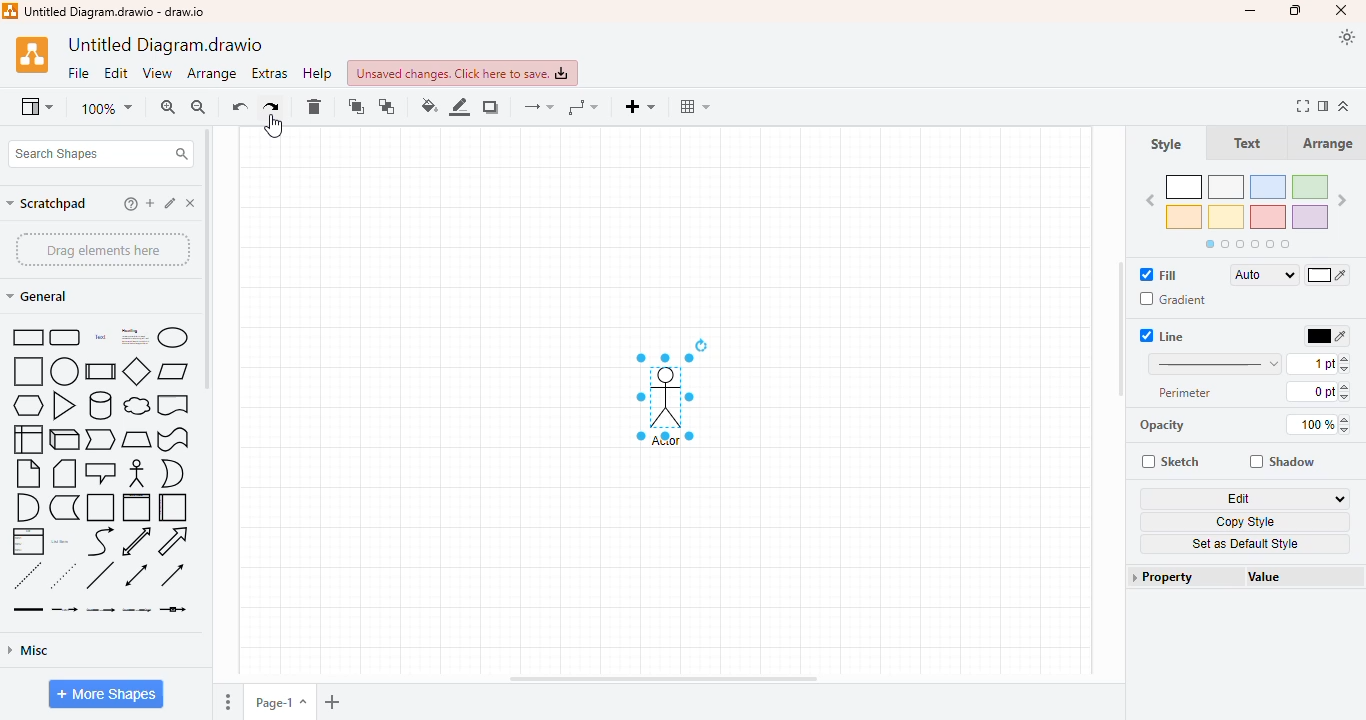 The image size is (1366, 720). I want to click on sketch, so click(1170, 461).